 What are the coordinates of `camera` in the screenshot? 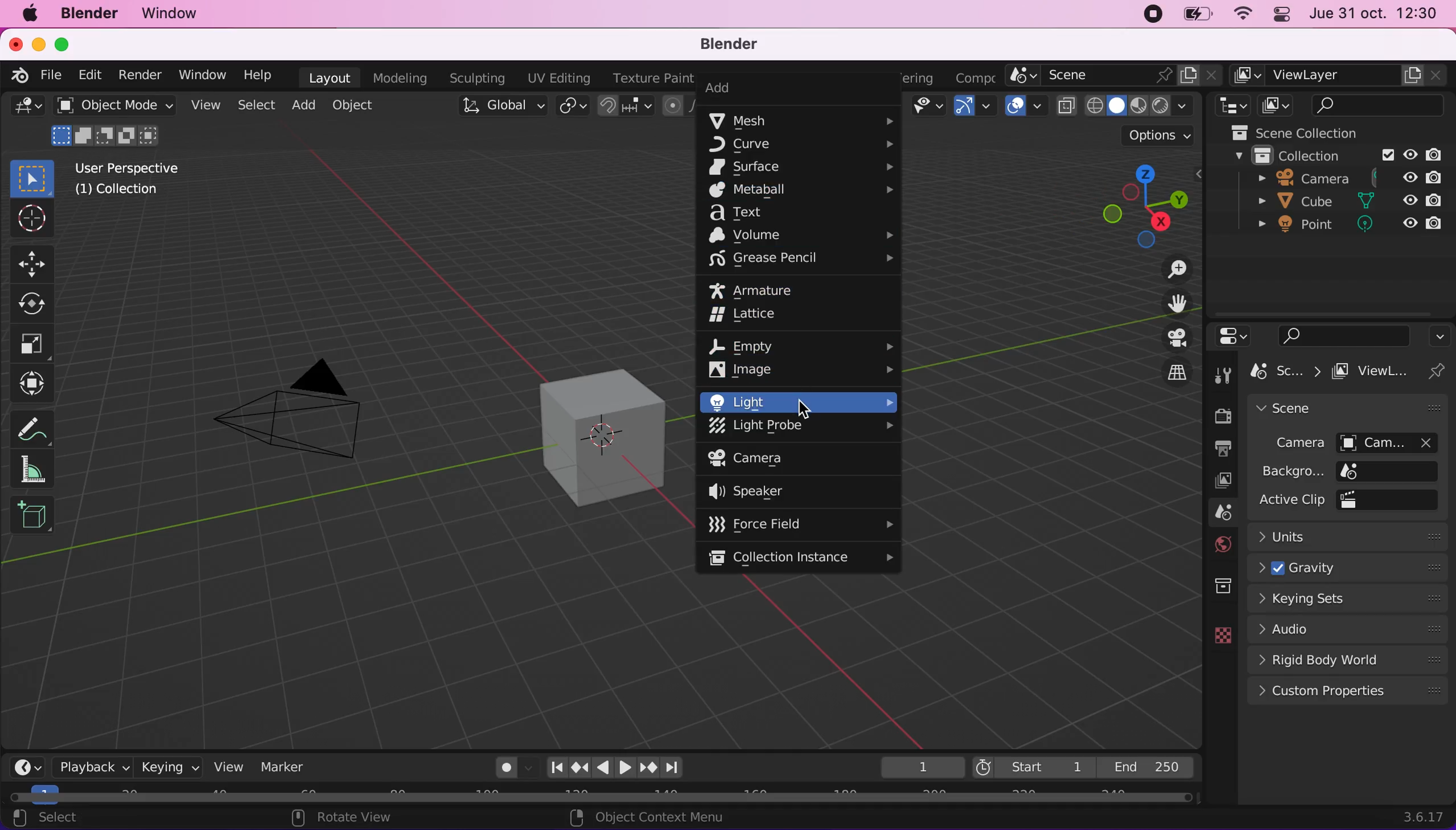 It's located at (1290, 444).